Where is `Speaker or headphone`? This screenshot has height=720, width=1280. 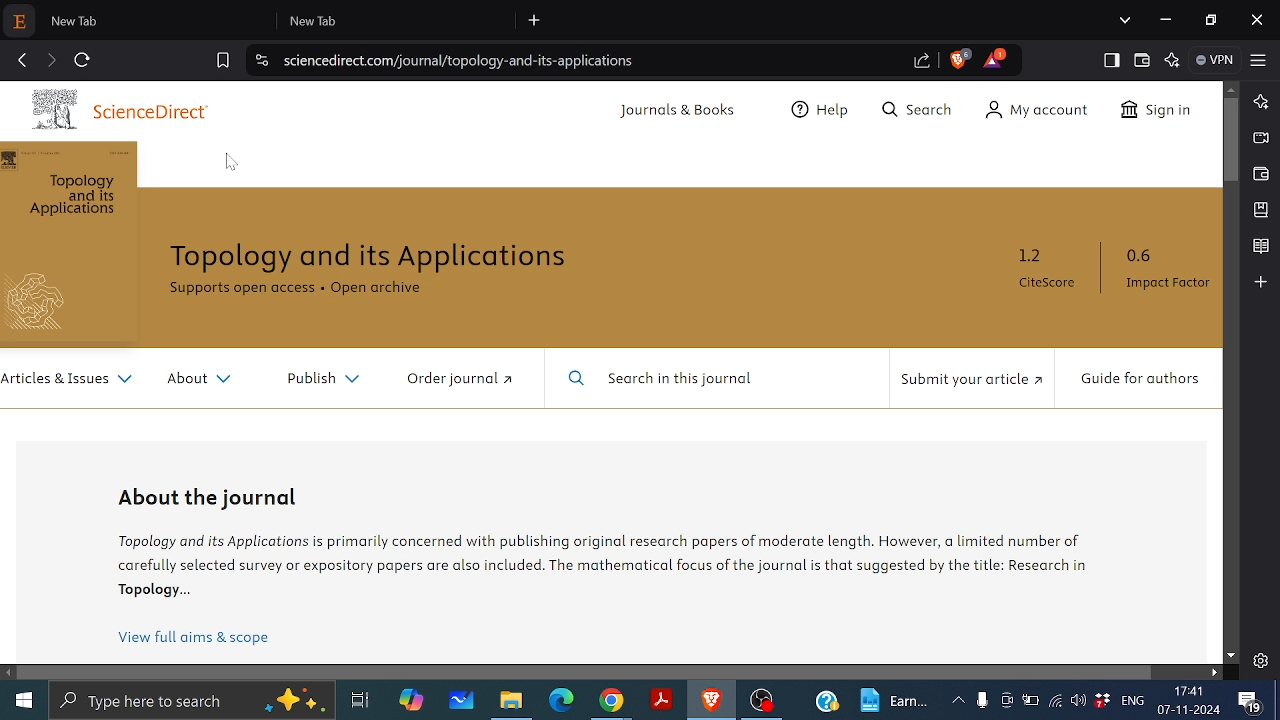
Speaker or headphone is located at coordinates (1079, 701).